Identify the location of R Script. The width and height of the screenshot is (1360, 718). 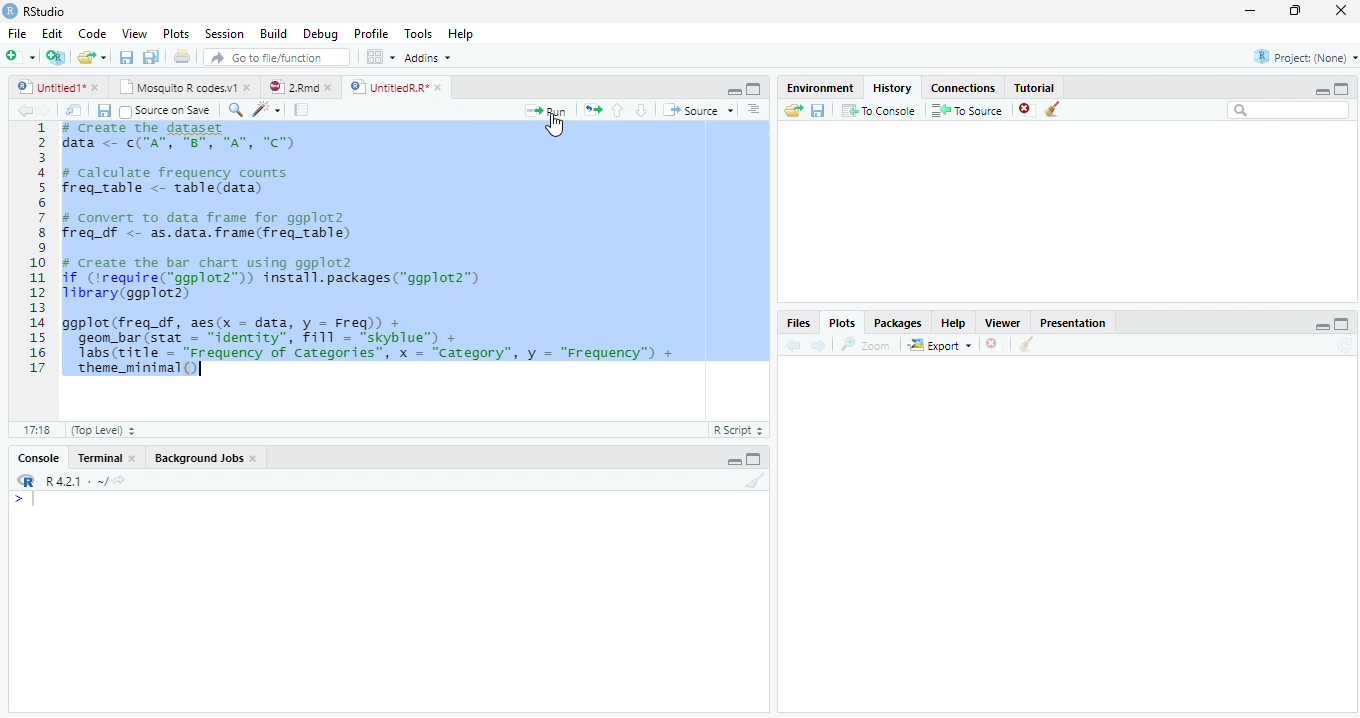
(740, 431).